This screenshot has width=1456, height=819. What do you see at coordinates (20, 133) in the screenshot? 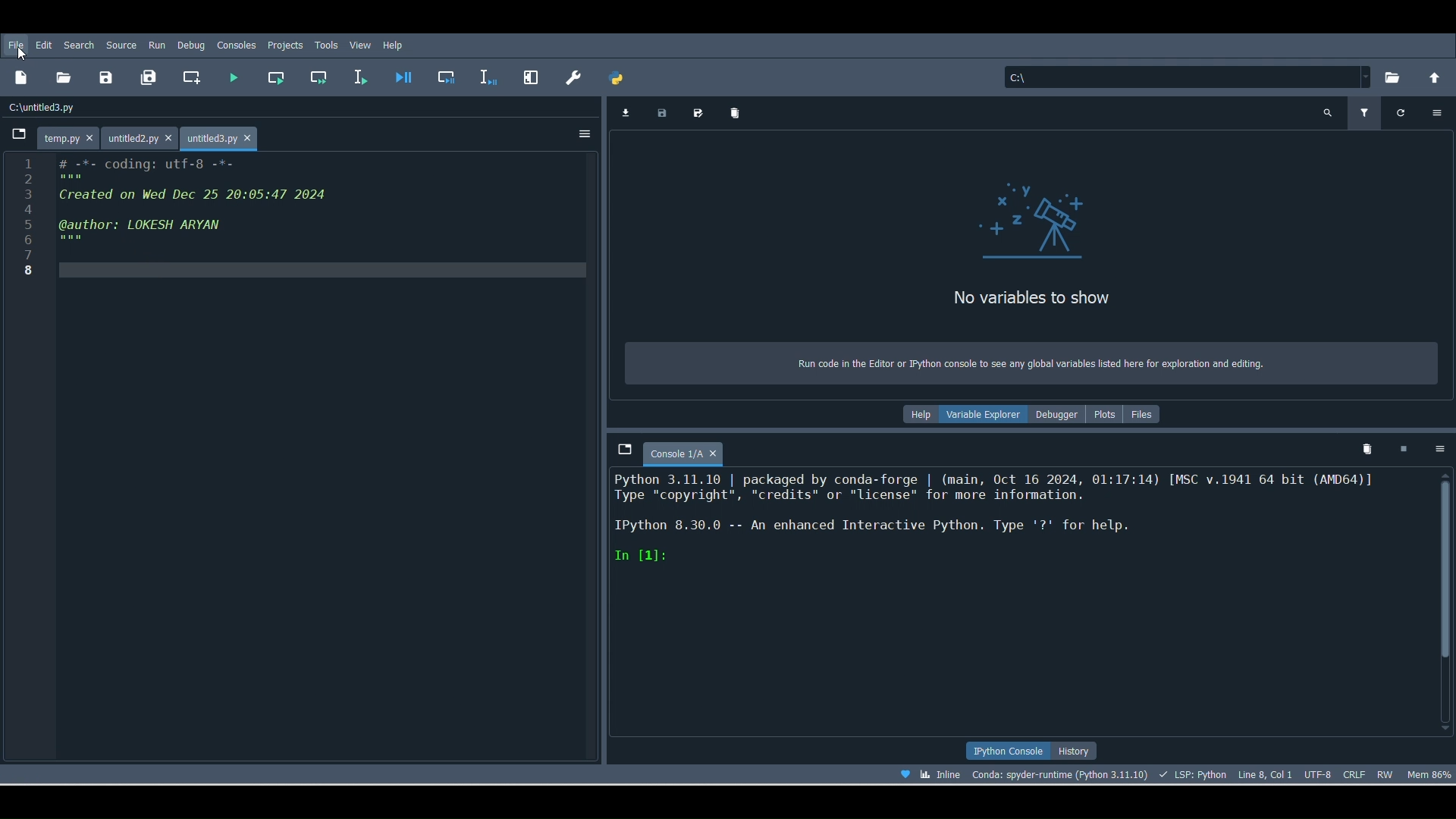
I see `Browse tabs` at bounding box center [20, 133].